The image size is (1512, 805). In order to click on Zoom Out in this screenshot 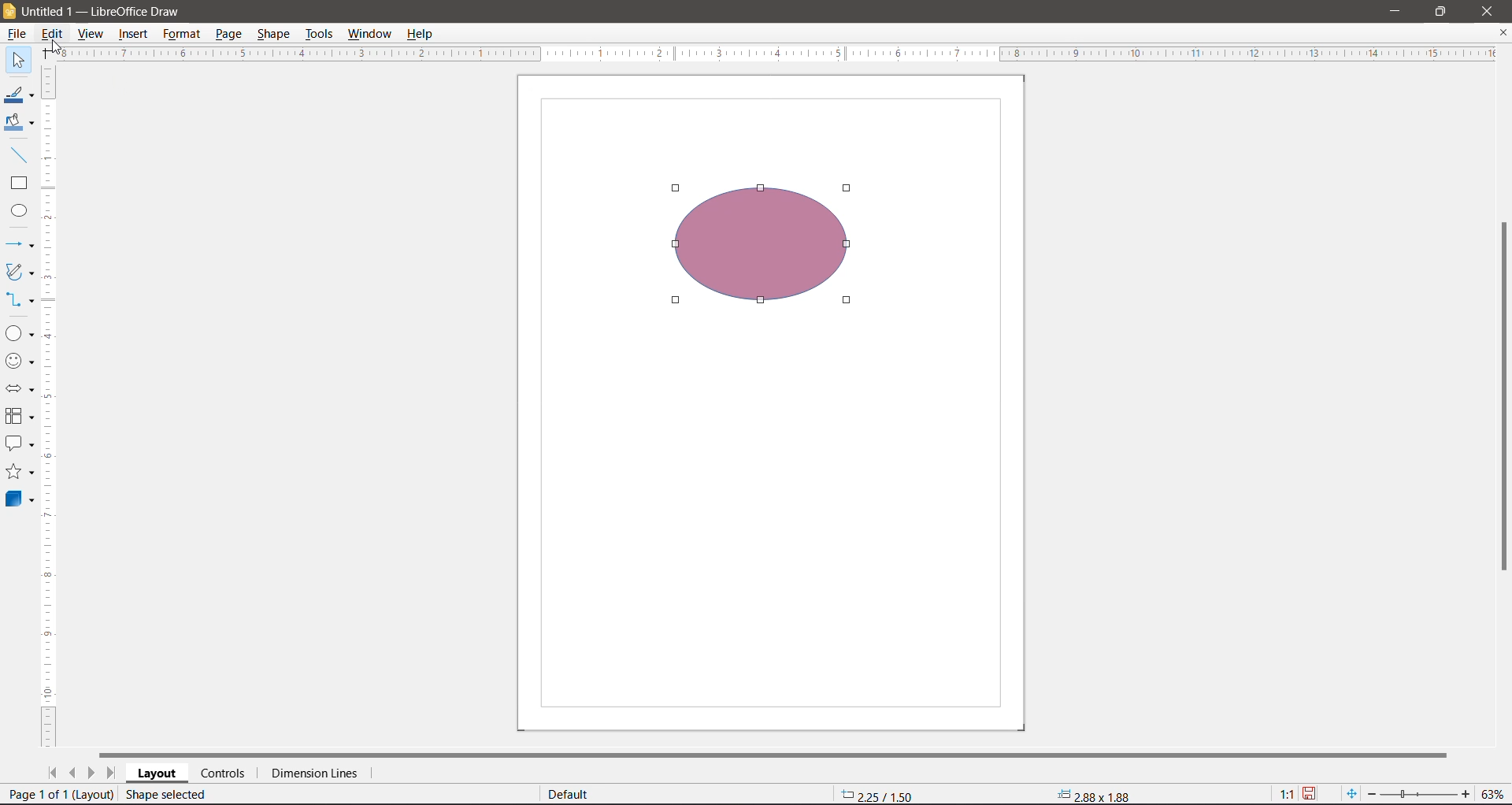, I will do `click(1371, 795)`.